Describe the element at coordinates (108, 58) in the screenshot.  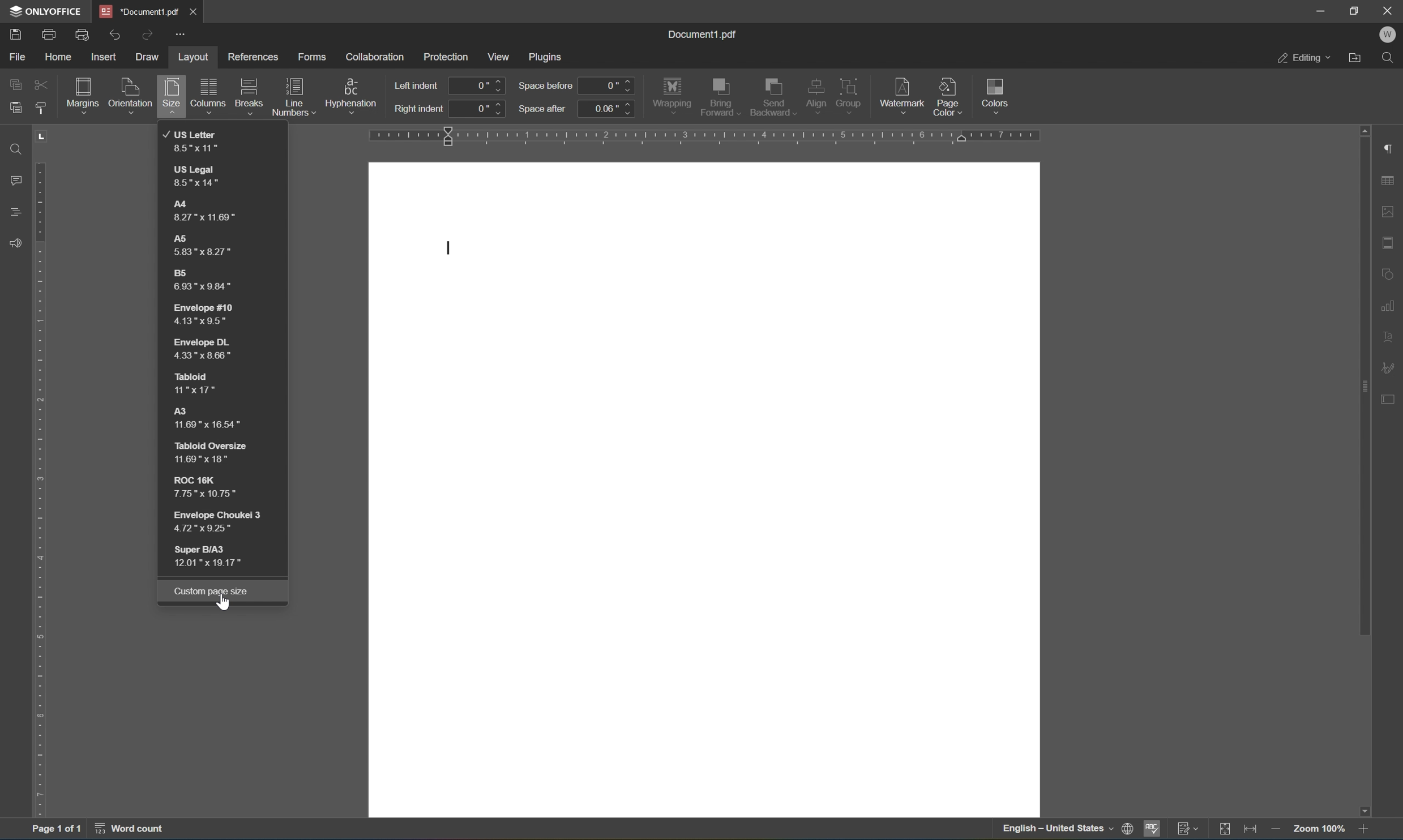
I see `insert` at that location.